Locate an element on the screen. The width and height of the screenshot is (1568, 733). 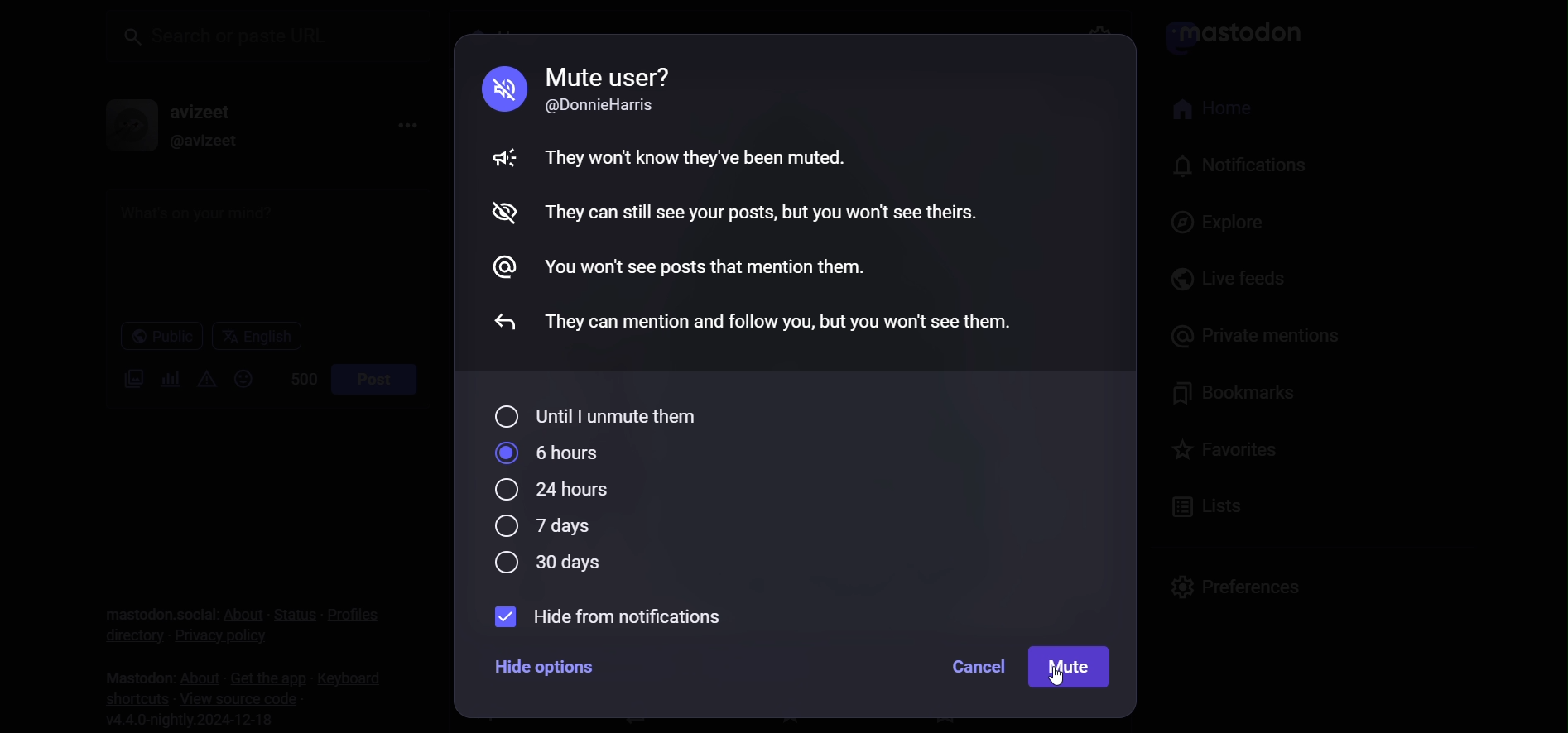
6 hours selected is located at coordinates (556, 453).